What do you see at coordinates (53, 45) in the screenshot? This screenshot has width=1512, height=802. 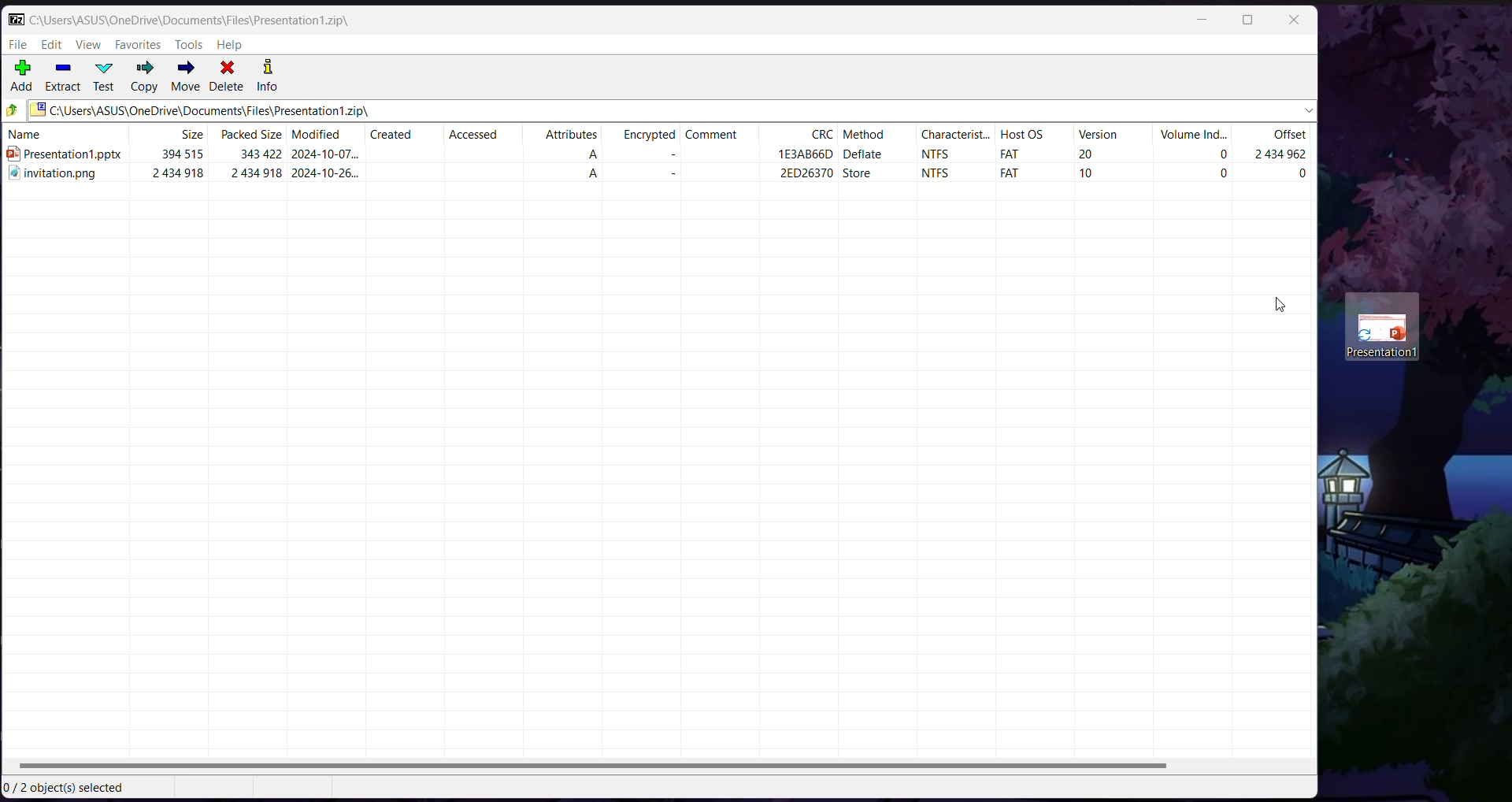 I see `Edit` at bounding box center [53, 45].